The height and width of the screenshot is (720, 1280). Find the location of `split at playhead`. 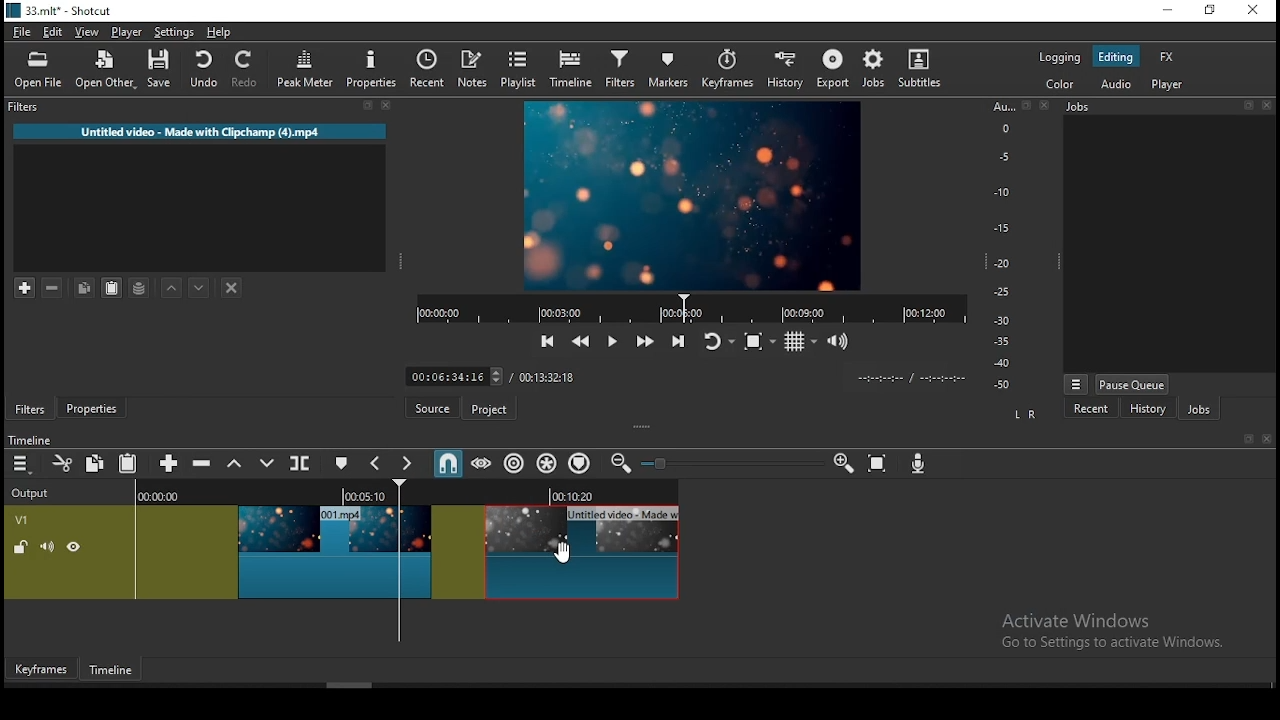

split at playhead is located at coordinates (302, 465).